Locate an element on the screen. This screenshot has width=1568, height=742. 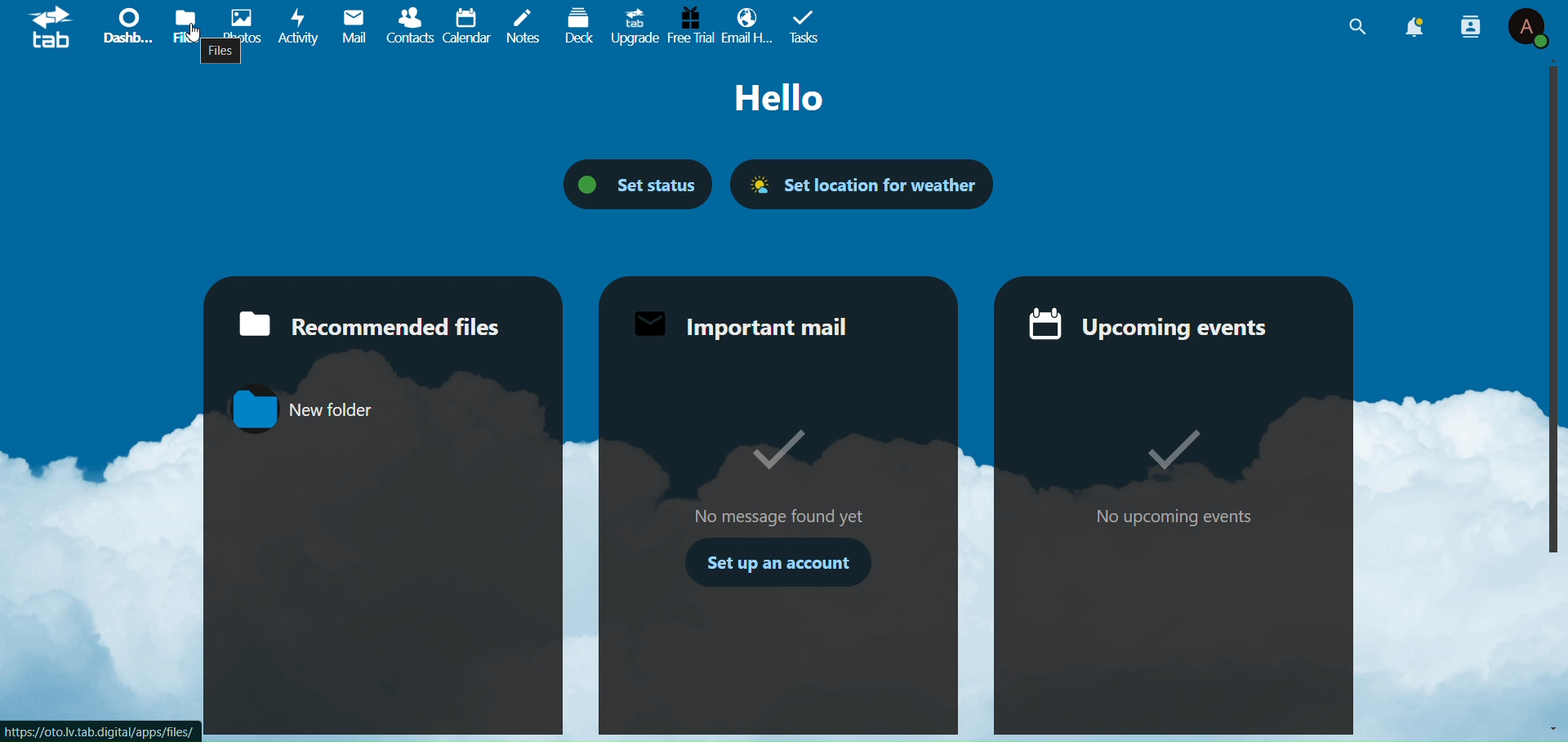
cursor is located at coordinates (194, 34).